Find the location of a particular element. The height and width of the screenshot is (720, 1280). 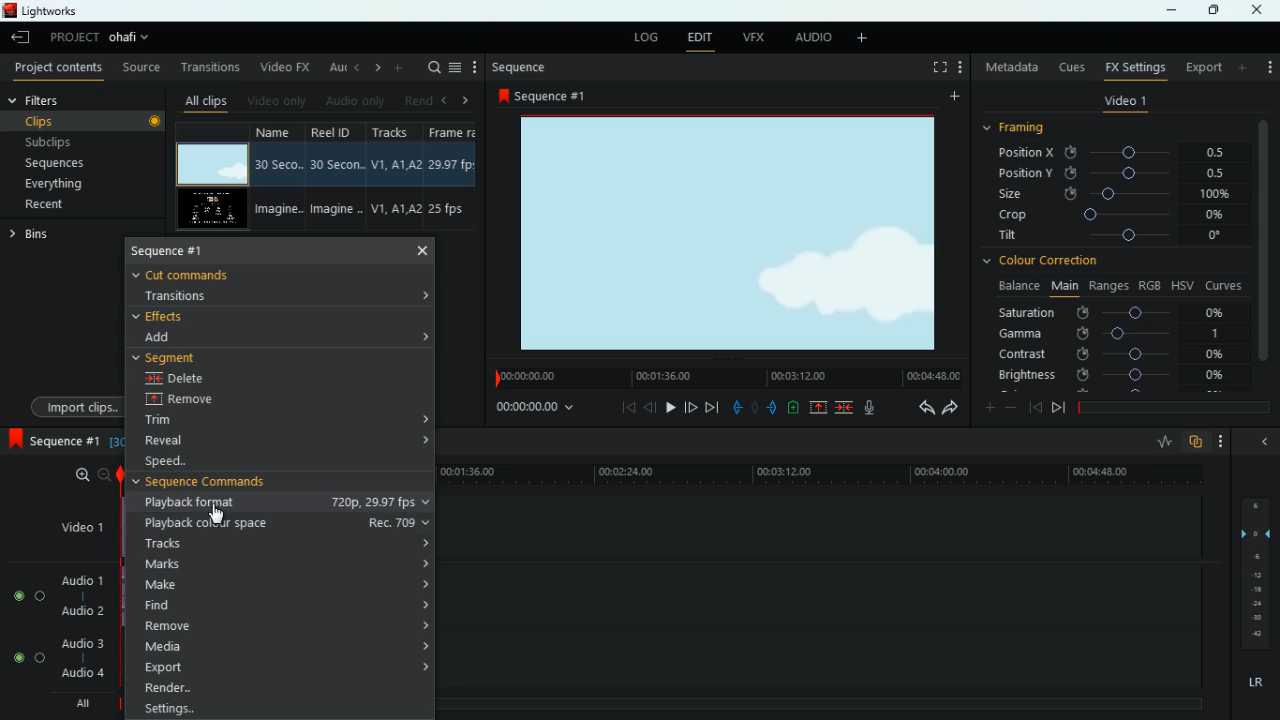

recent is located at coordinates (50, 207).